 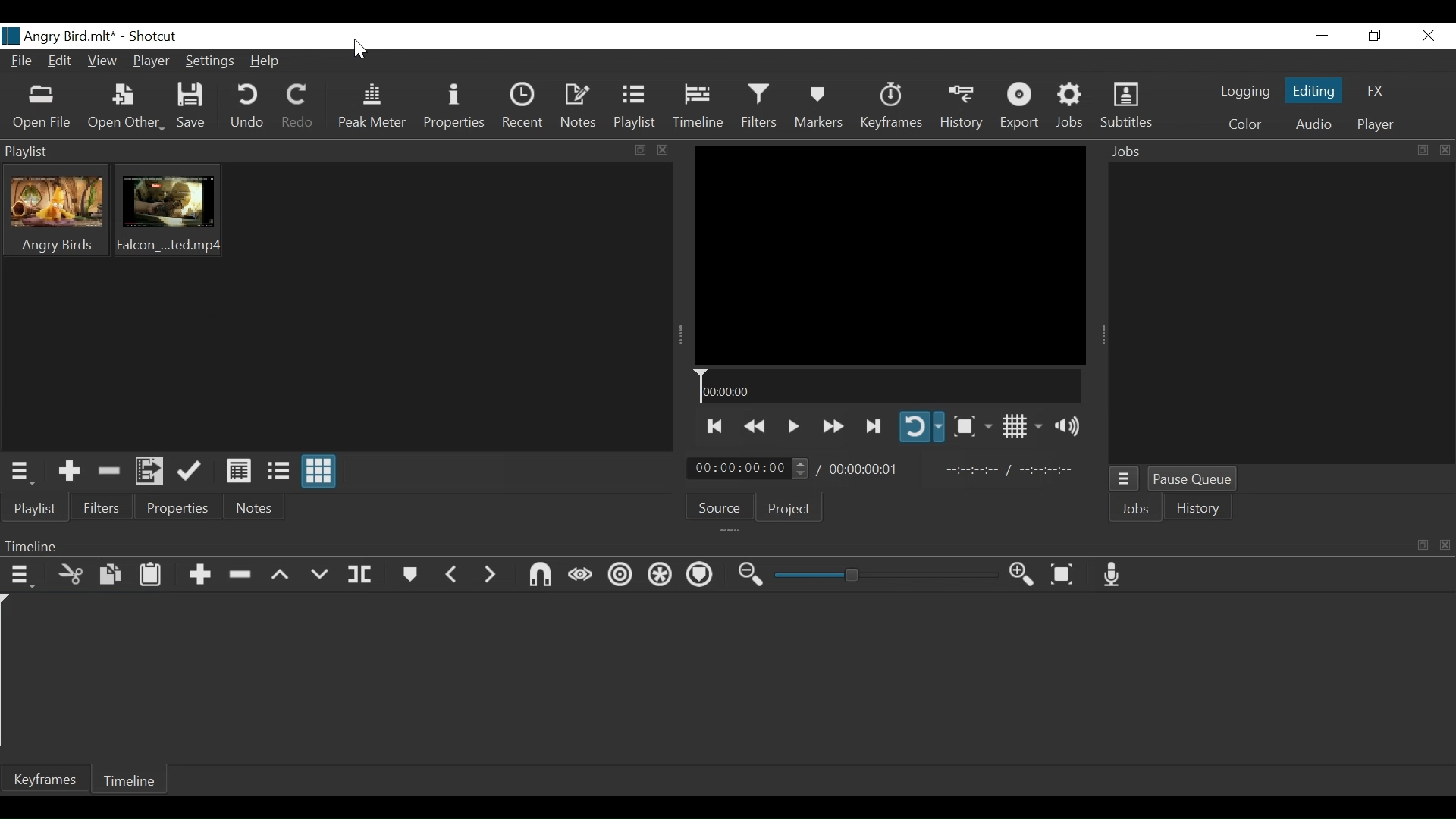 What do you see at coordinates (789, 509) in the screenshot?
I see `Project` at bounding box center [789, 509].